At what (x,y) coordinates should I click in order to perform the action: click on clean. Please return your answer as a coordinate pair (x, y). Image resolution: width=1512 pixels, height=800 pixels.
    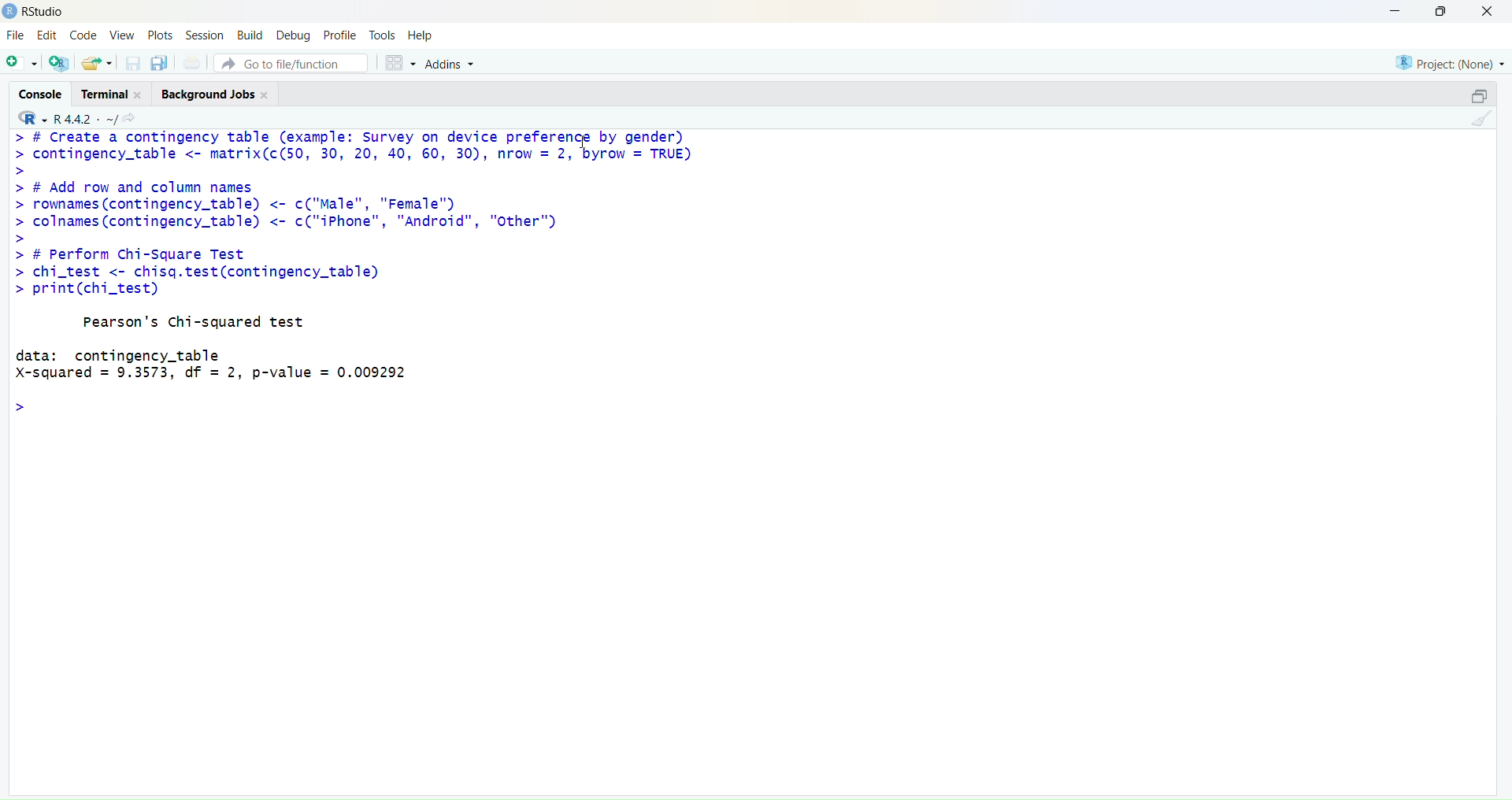
    Looking at the image, I should click on (1484, 118).